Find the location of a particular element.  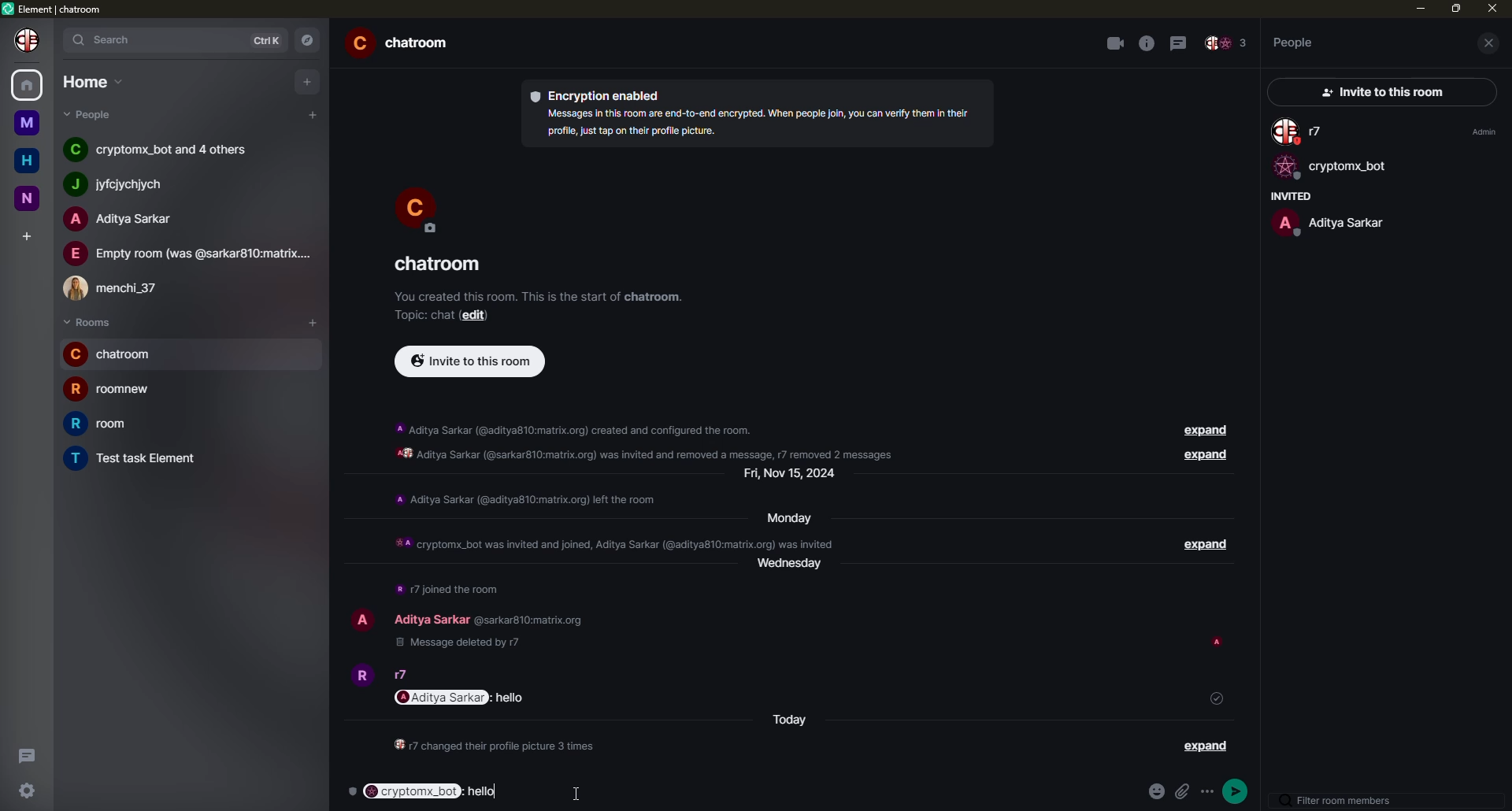

today is located at coordinates (791, 724).